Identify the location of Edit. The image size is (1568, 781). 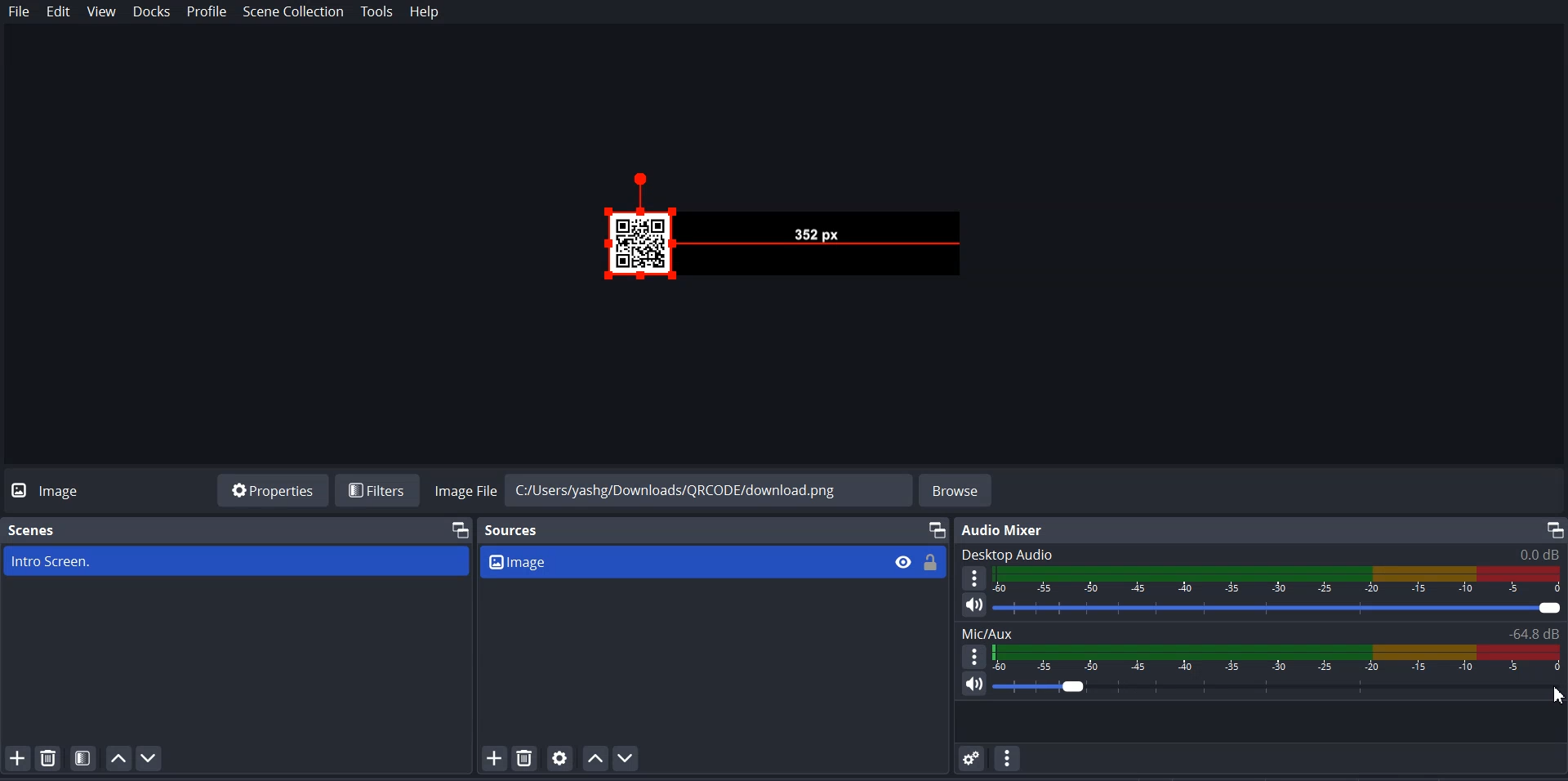
(58, 11).